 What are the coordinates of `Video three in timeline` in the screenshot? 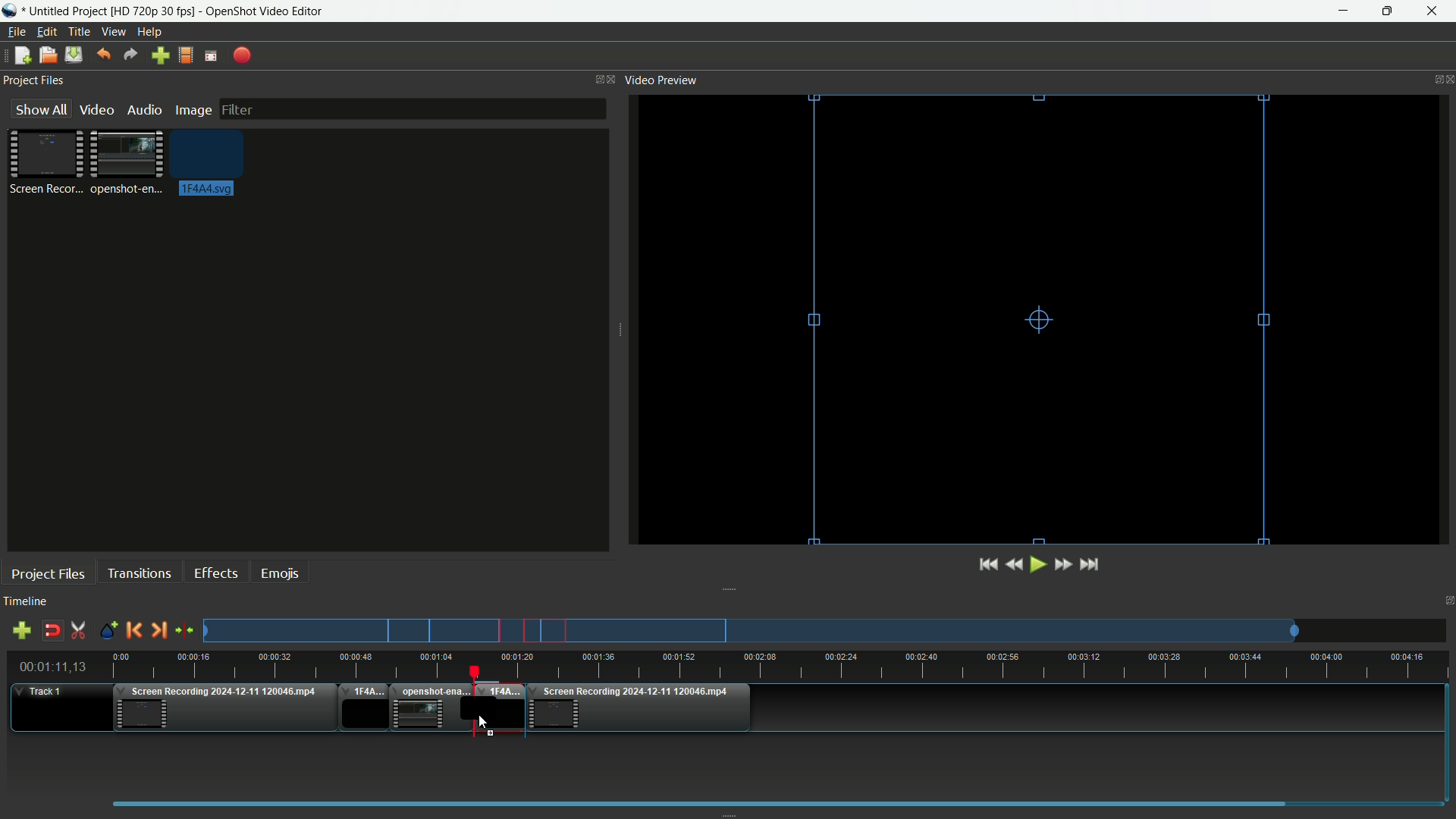 It's located at (642, 708).